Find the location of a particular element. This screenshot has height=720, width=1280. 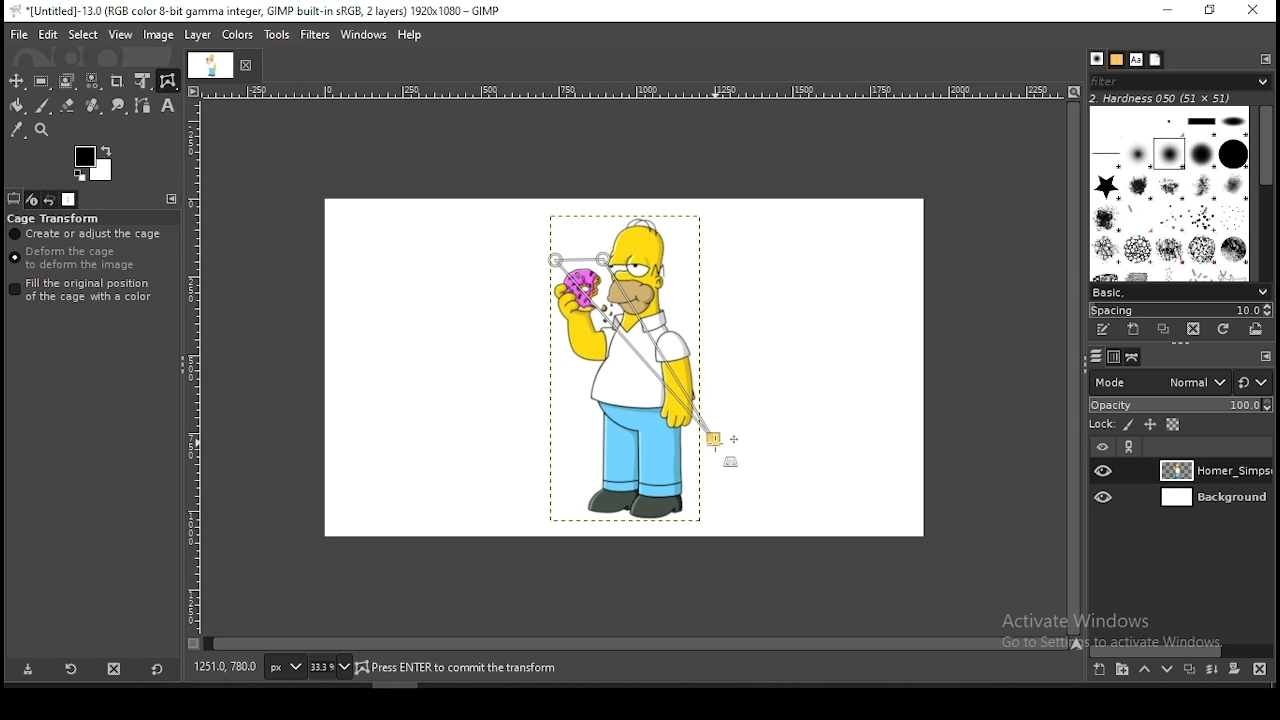

images is located at coordinates (70, 200).